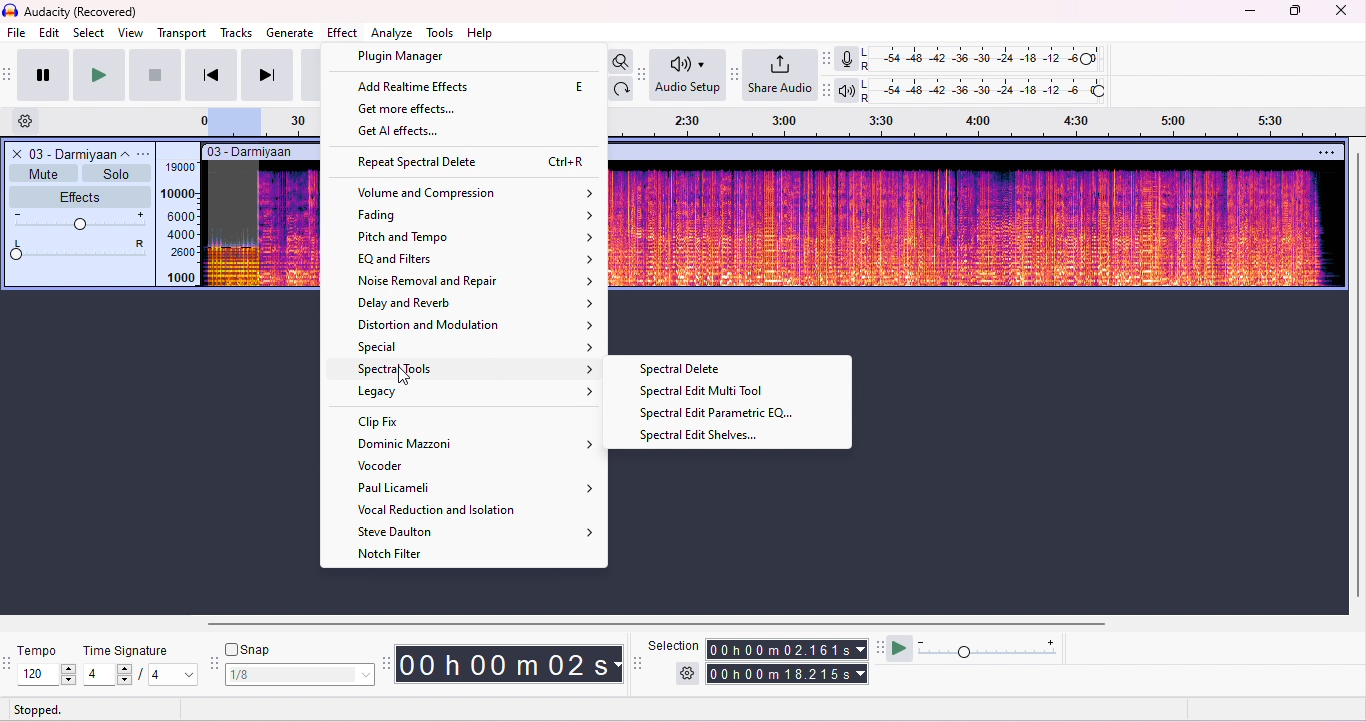 The image size is (1366, 722). What do you see at coordinates (81, 221) in the screenshot?
I see `volume` at bounding box center [81, 221].